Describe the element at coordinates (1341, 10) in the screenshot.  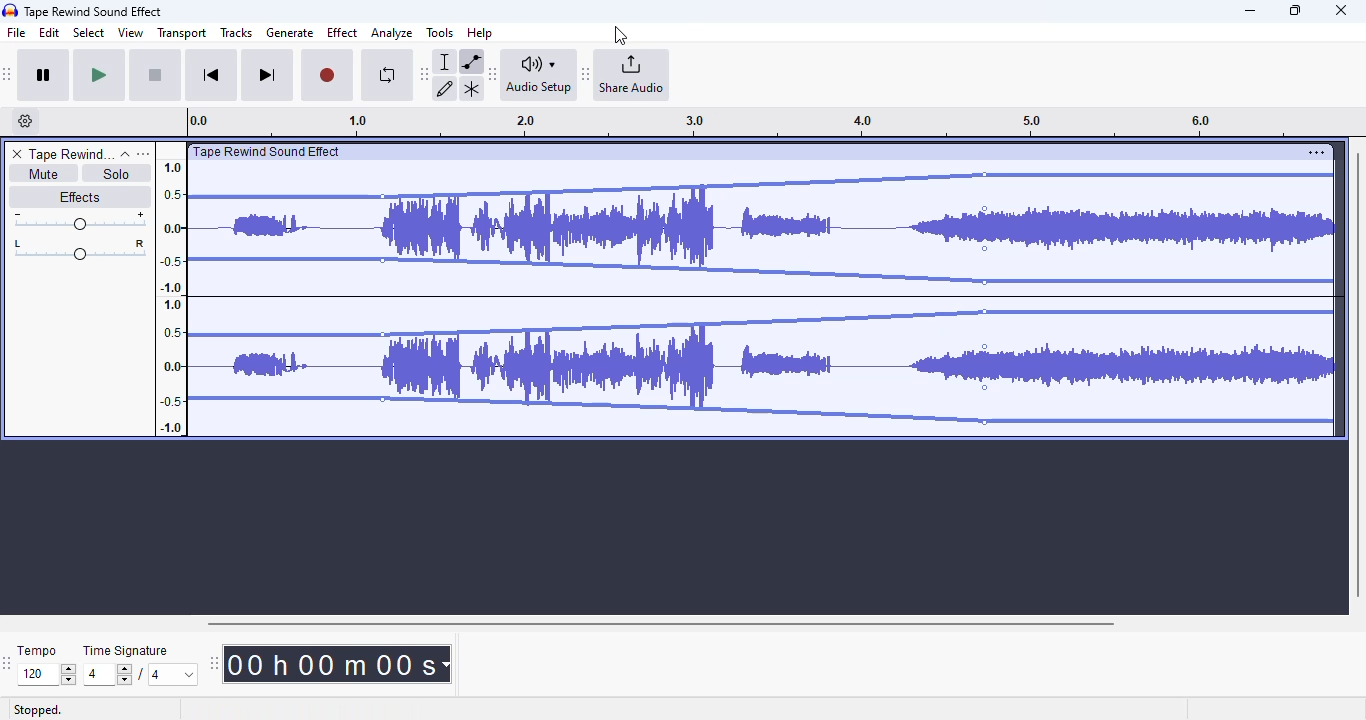
I see `close` at that location.